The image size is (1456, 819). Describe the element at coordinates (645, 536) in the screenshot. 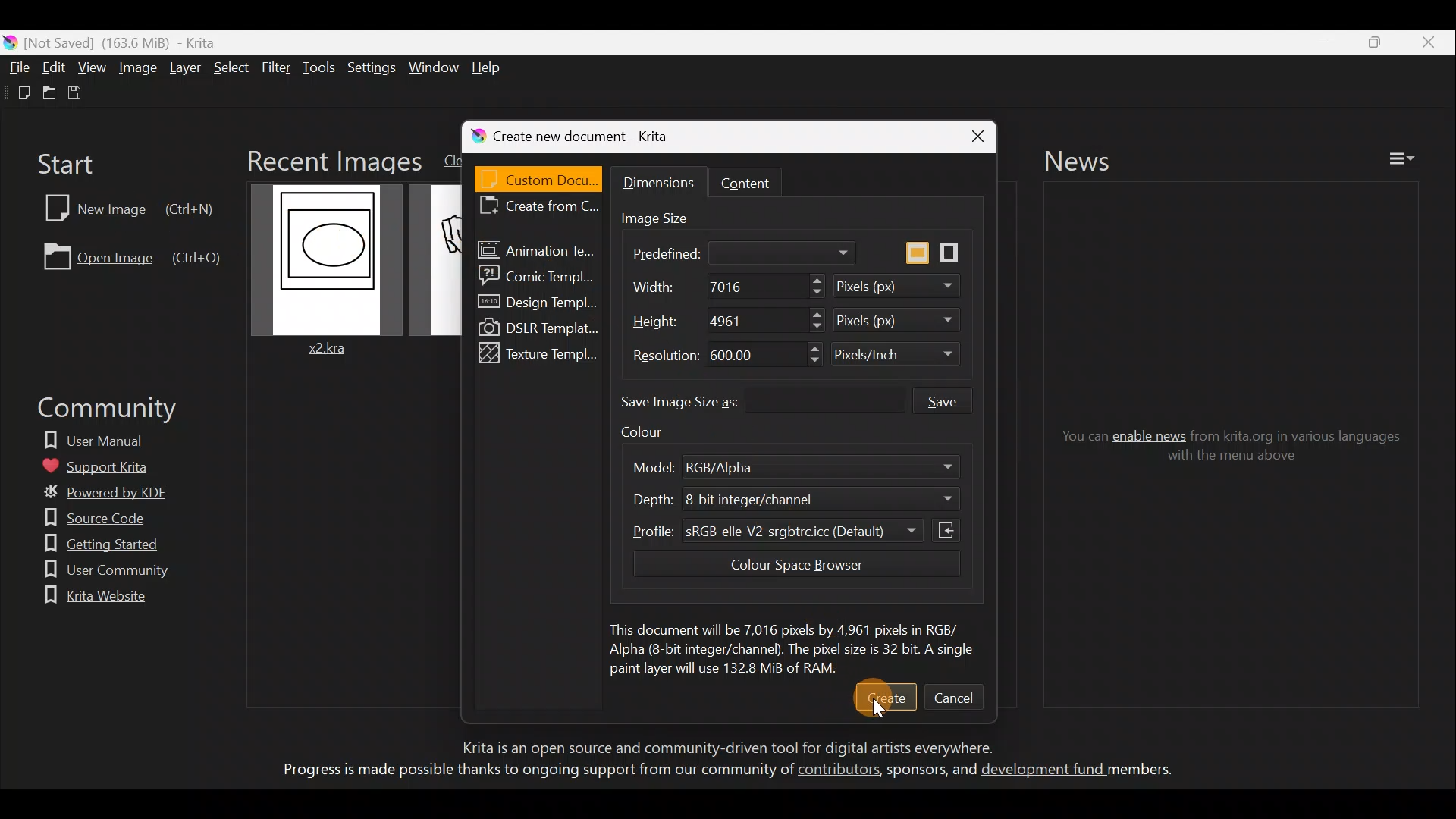

I see `Profile:` at that location.